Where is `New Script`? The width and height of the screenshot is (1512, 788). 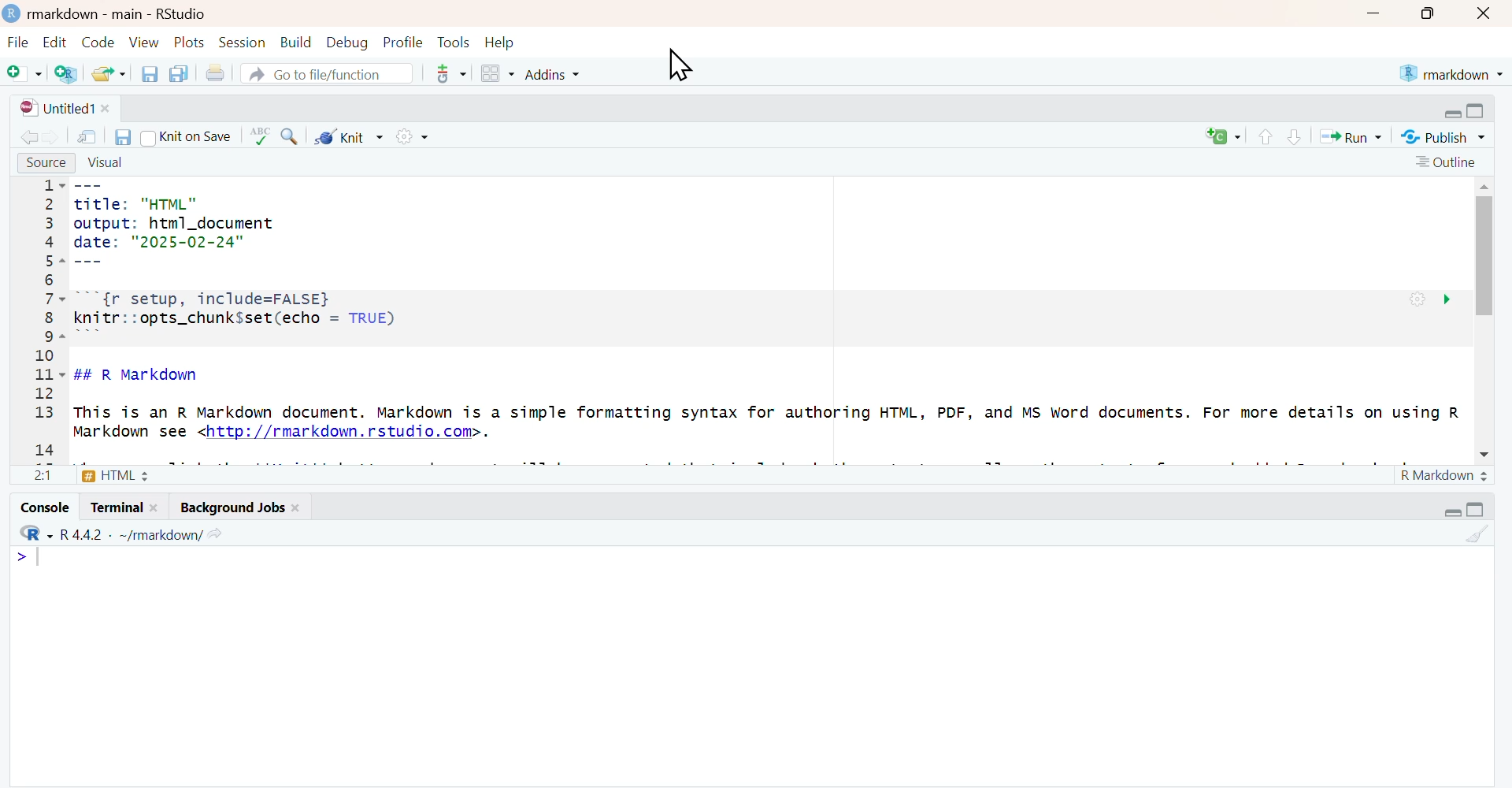 New Script is located at coordinates (1224, 136).